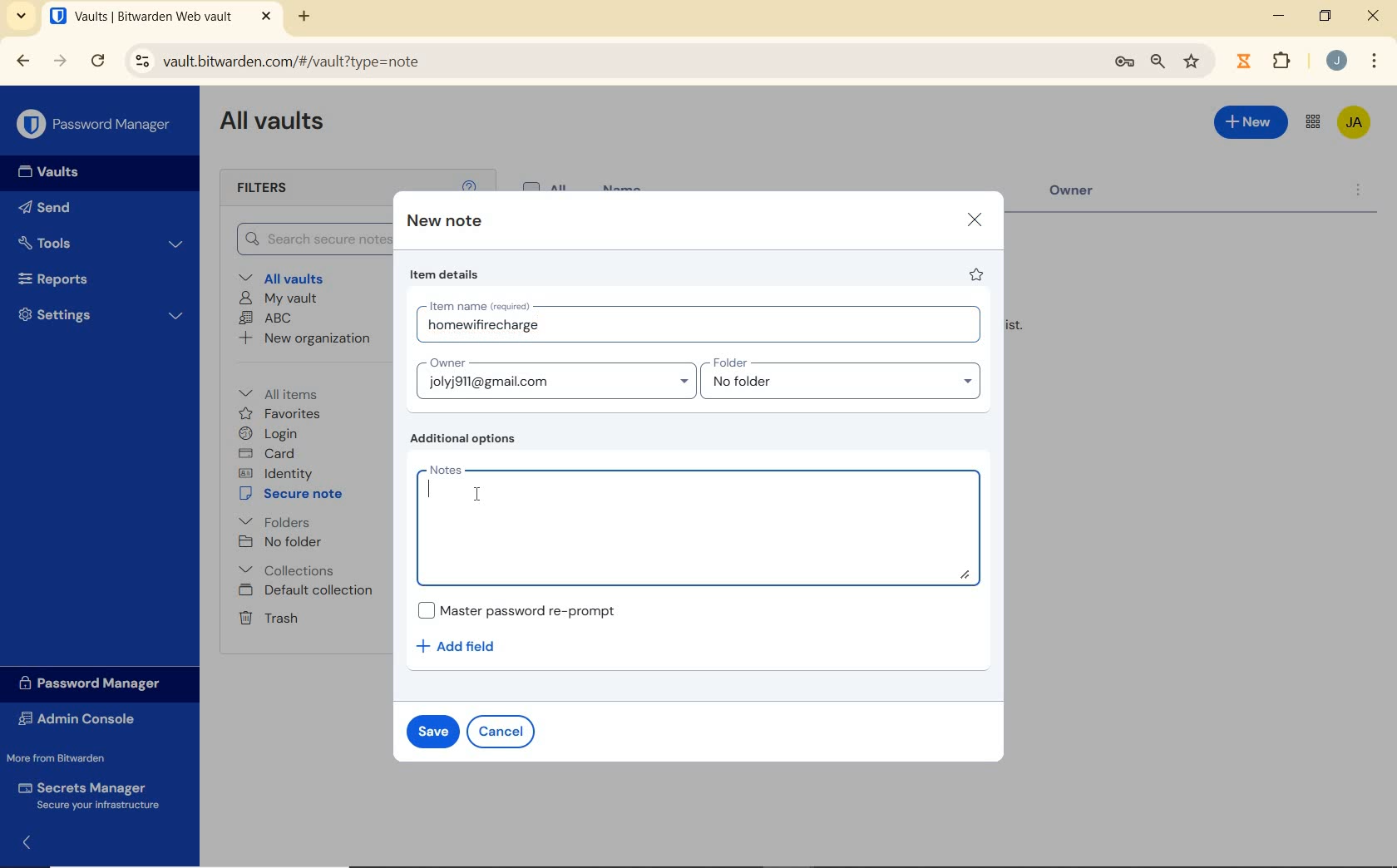 Image resolution: width=1397 pixels, height=868 pixels. I want to click on backward, so click(23, 62).